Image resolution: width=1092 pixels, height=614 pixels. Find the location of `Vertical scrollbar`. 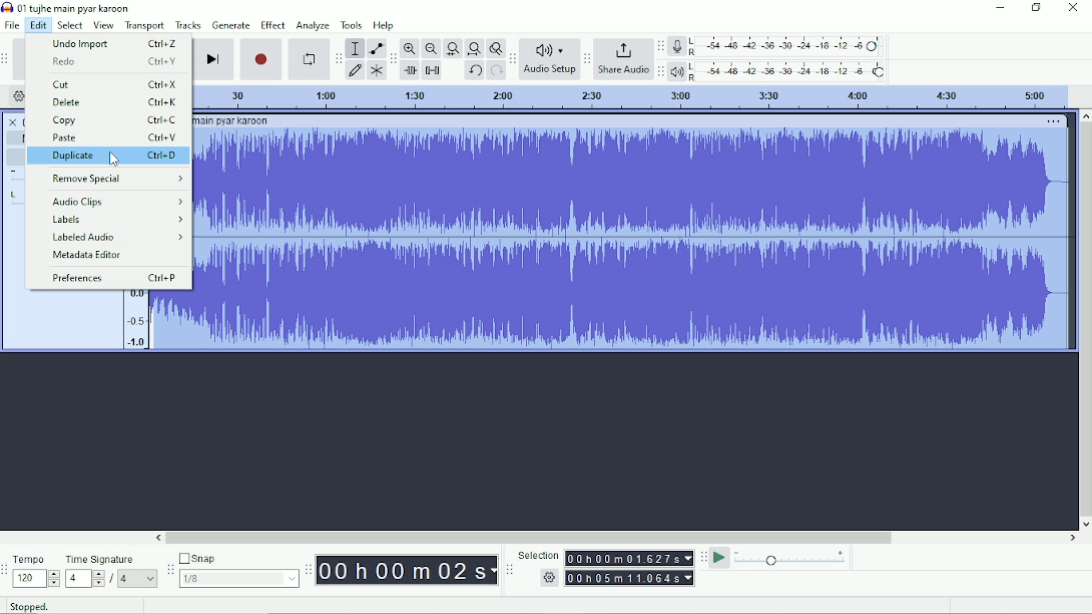

Vertical scrollbar is located at coordinates (1085, 319).